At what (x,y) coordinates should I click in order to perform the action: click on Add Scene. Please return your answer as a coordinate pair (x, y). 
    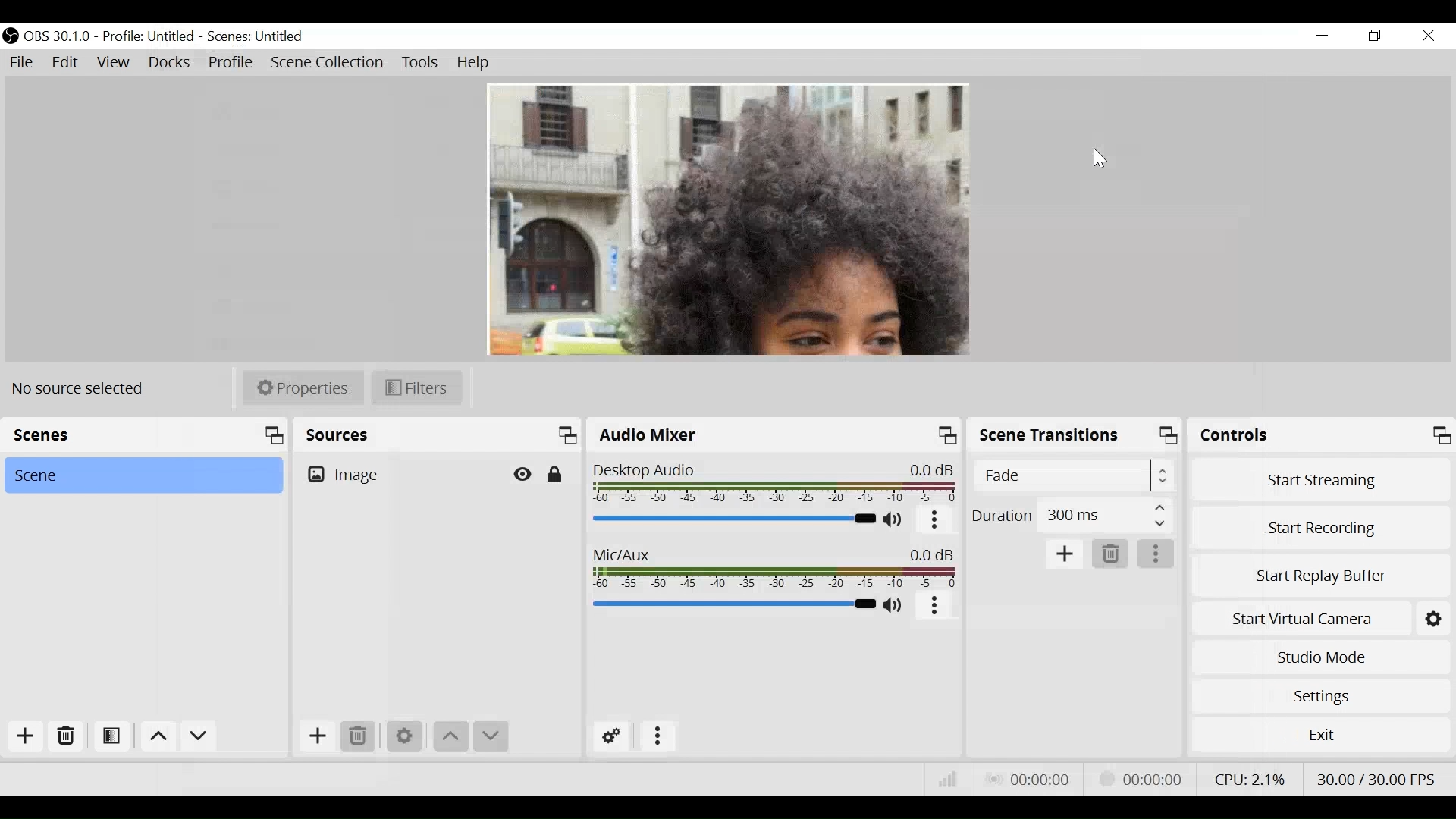
    Looking at the image, I should click on (30, 739).